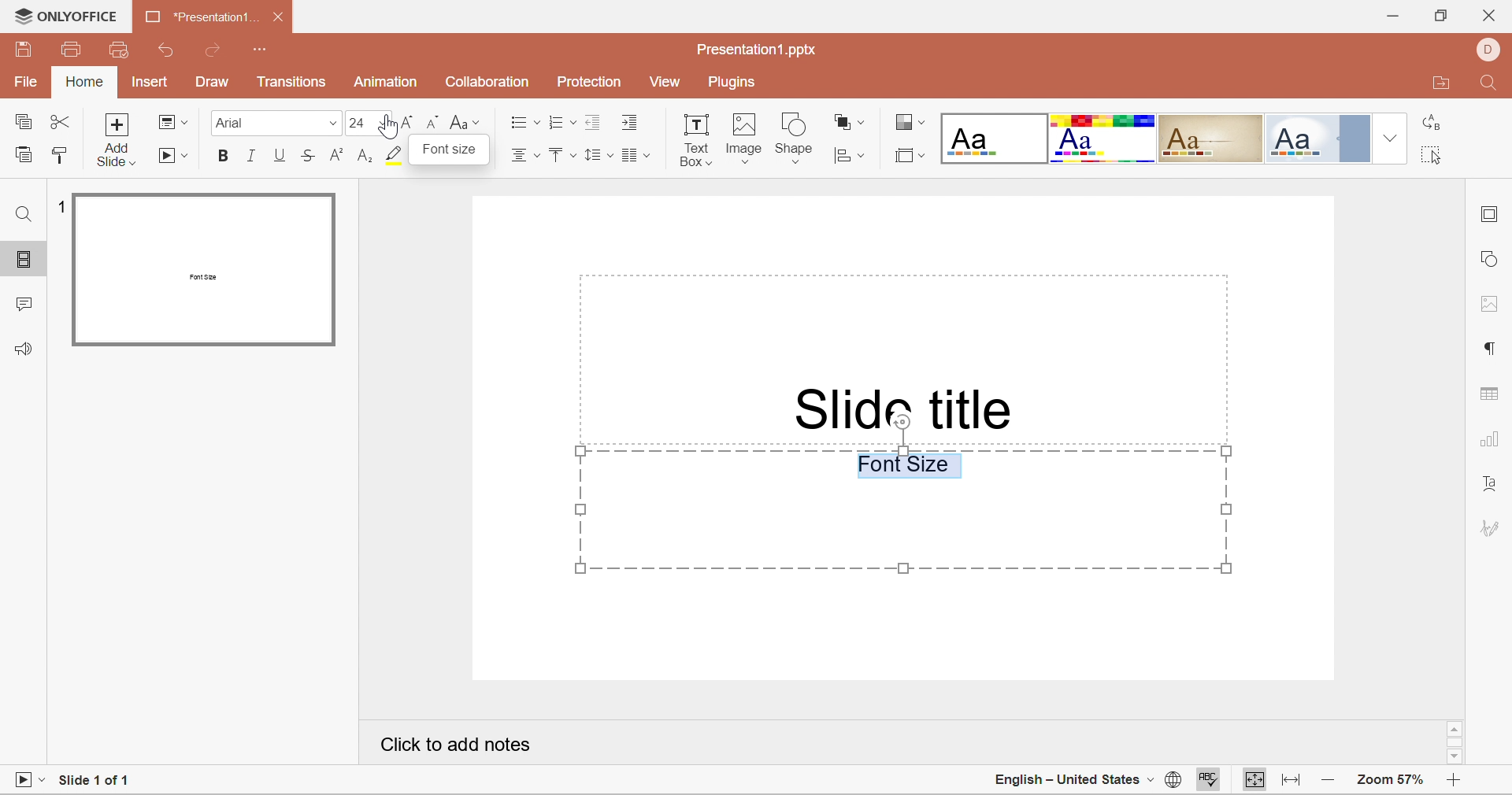 The height and width of the screenshot is (795, 1512). What do you see at coordinates (1489, 17) in the screenshot?
I see `Close` at bounding box center [1489, 17].